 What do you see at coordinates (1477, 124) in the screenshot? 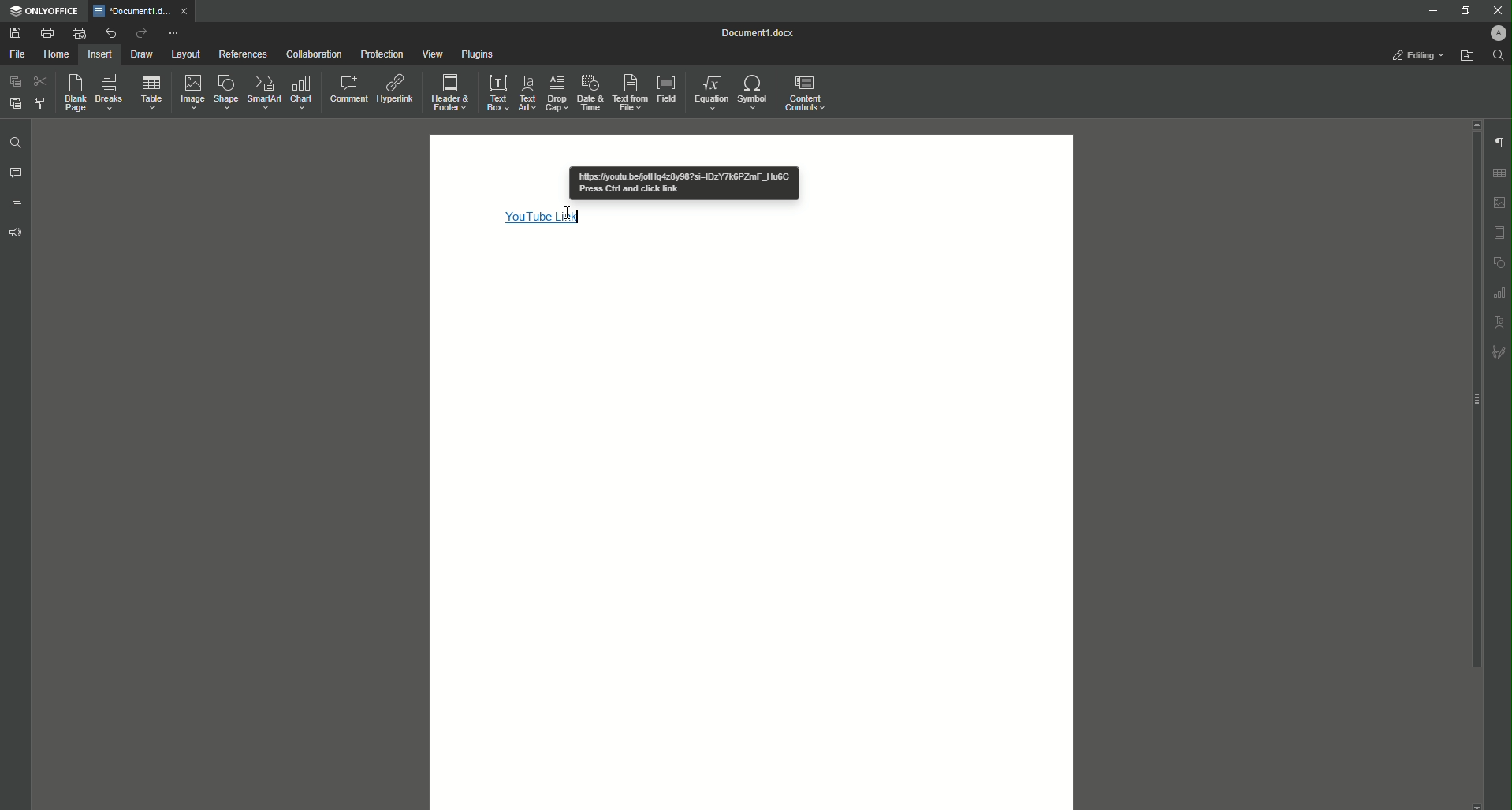
I see `scroll up` at bounding box center [1477, 124].